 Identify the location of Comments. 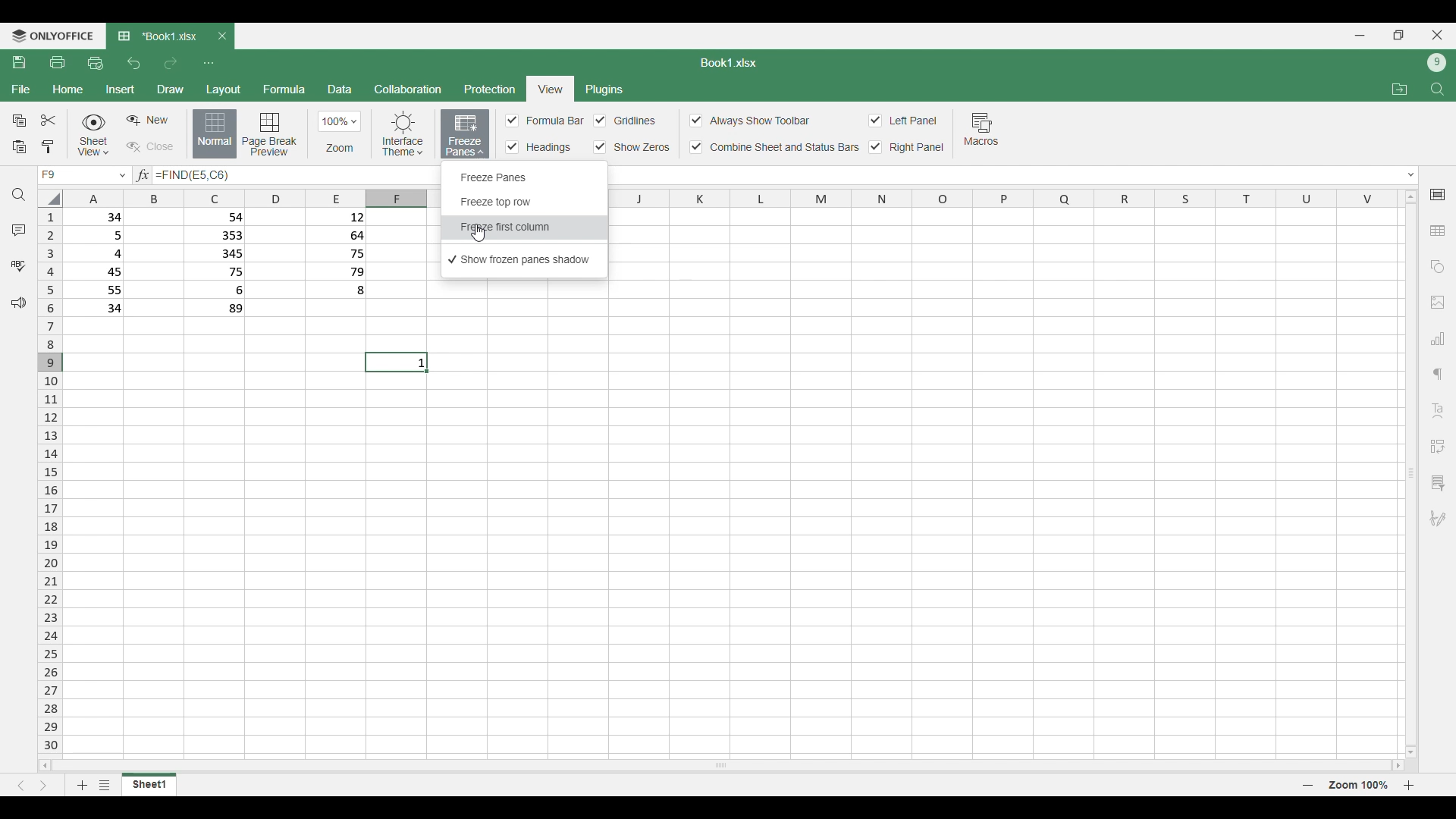
(18, 230).